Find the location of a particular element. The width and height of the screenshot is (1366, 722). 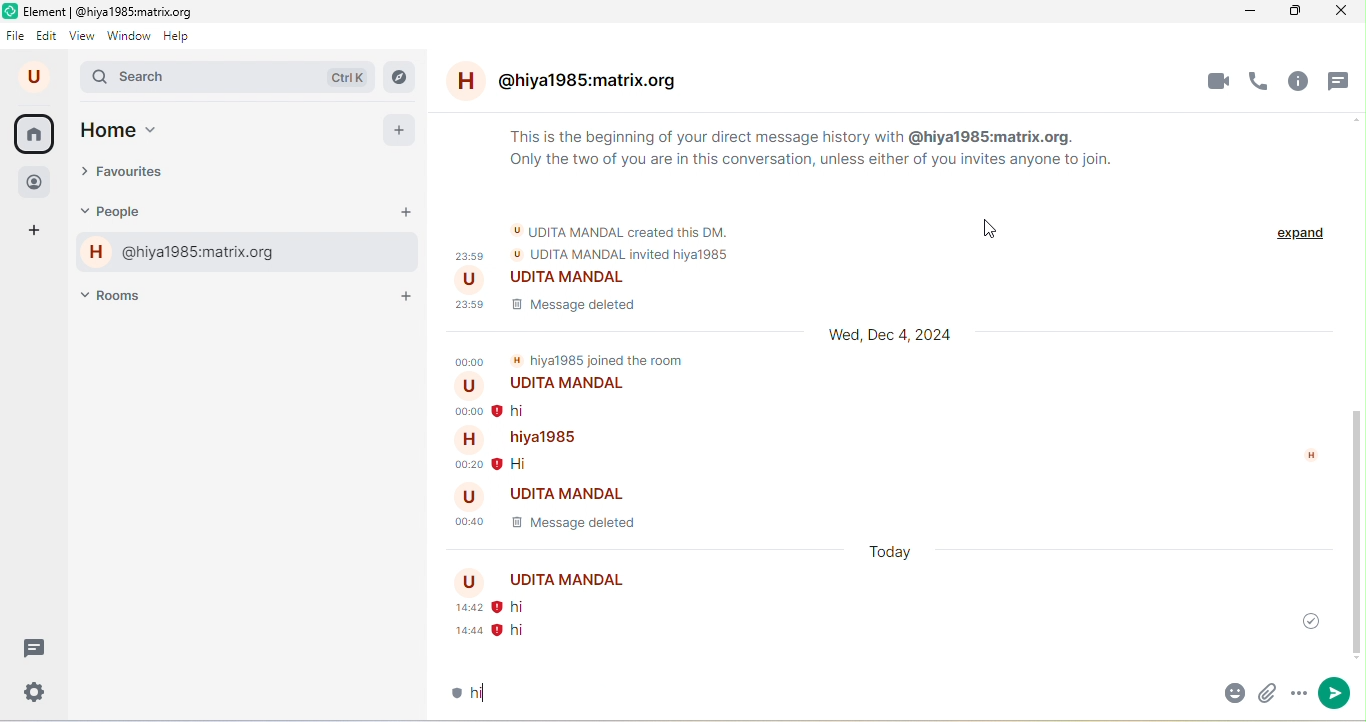

udita mandal created this dm is located at coordinates (623, 229).